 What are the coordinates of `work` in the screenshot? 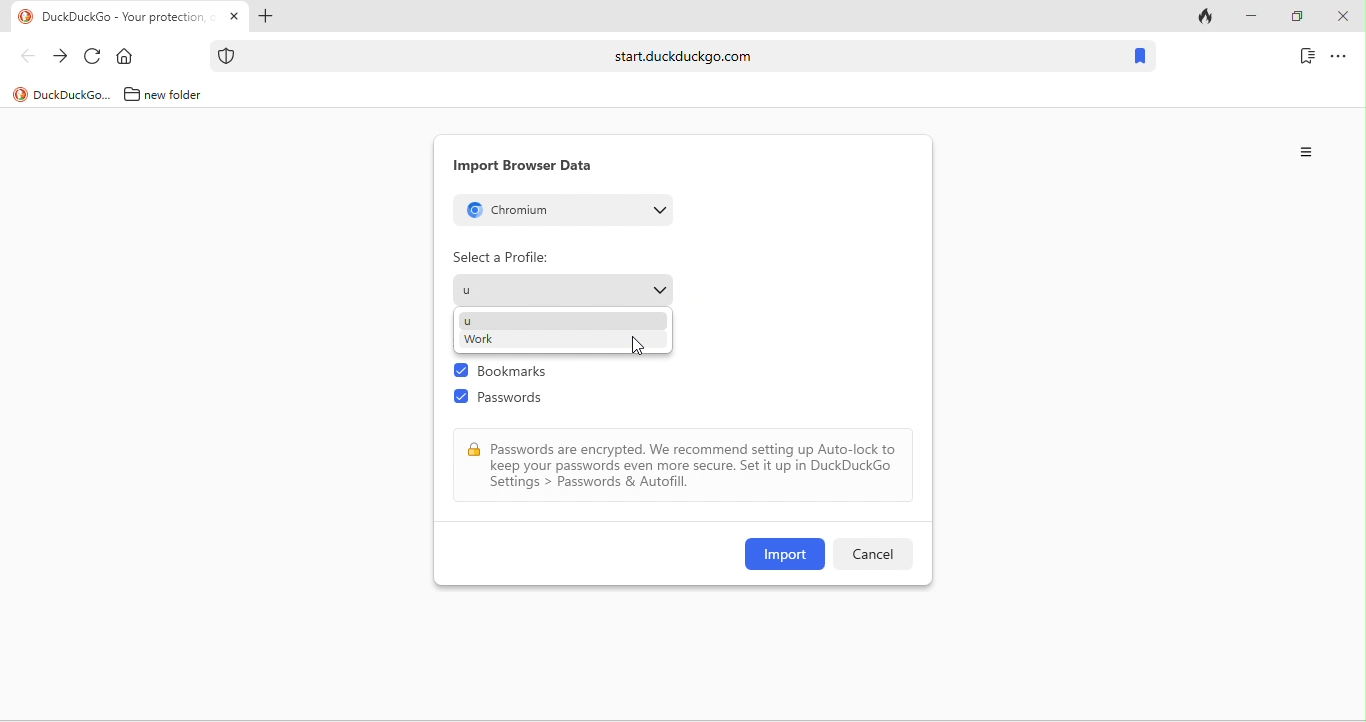 It's located at (477, 340).